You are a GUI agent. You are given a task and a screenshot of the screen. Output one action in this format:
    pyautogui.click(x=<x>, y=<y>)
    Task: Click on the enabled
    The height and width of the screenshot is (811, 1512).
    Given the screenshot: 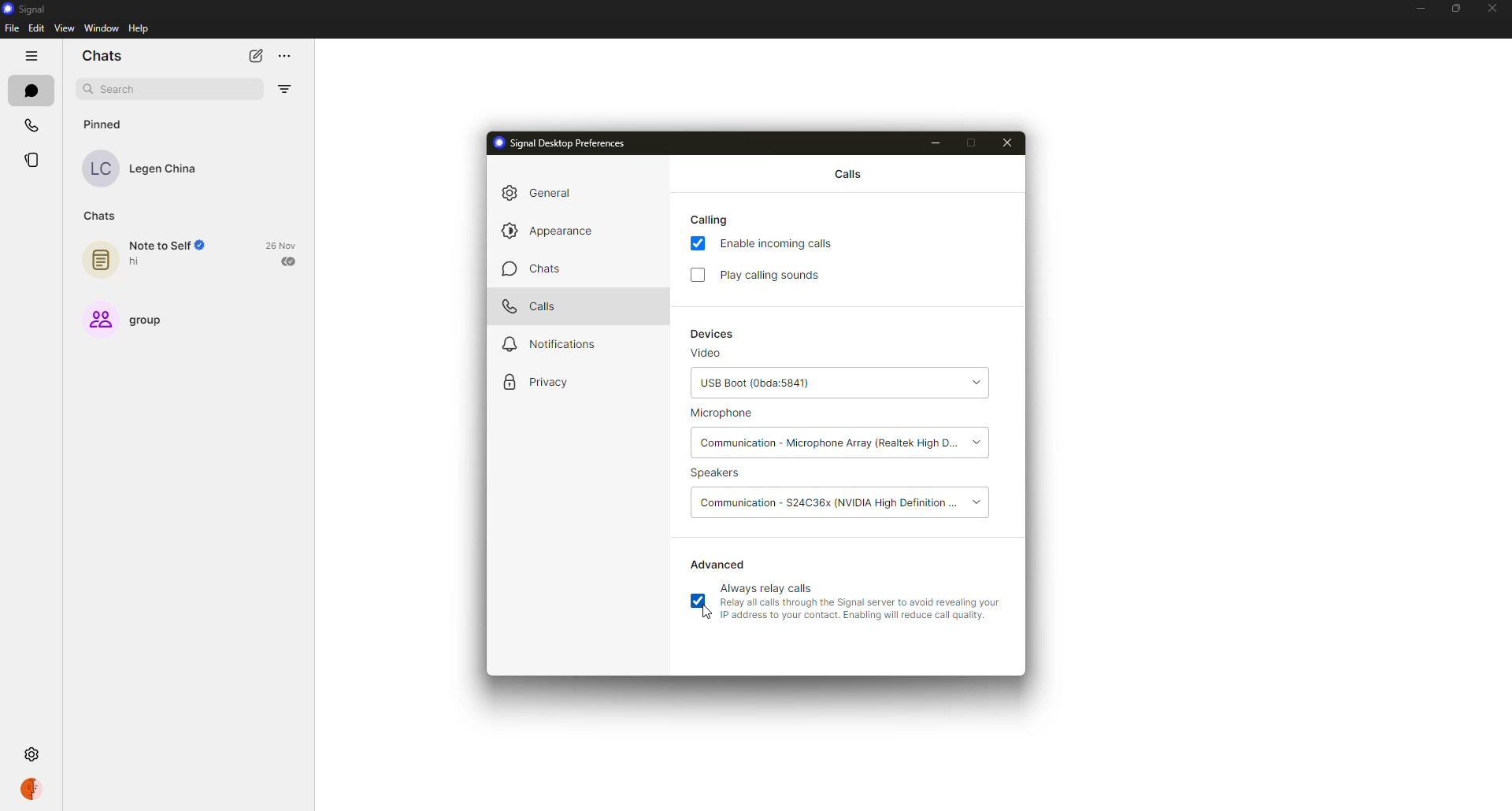 What is the action you would take?
    pyautogui.click(x=698, y=245)
    